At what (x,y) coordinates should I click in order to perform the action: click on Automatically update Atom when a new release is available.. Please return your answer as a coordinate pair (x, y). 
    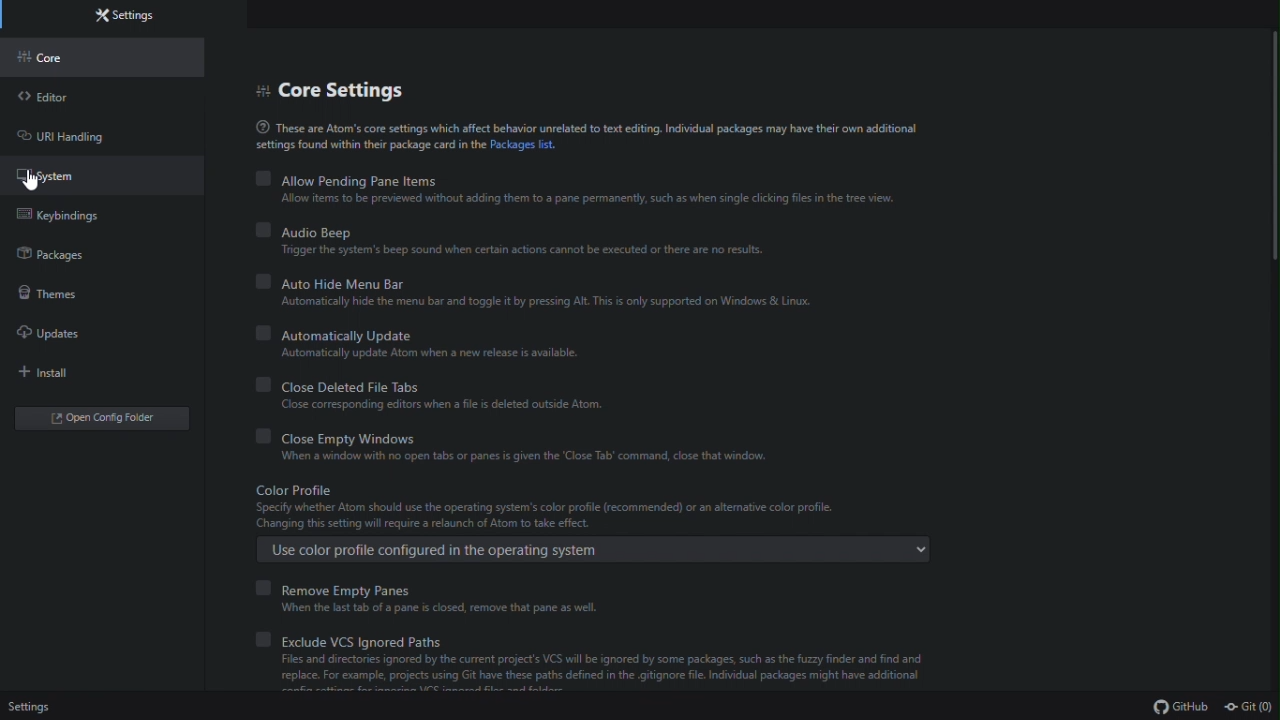
    Looking at the image, I should click on (447, 354).